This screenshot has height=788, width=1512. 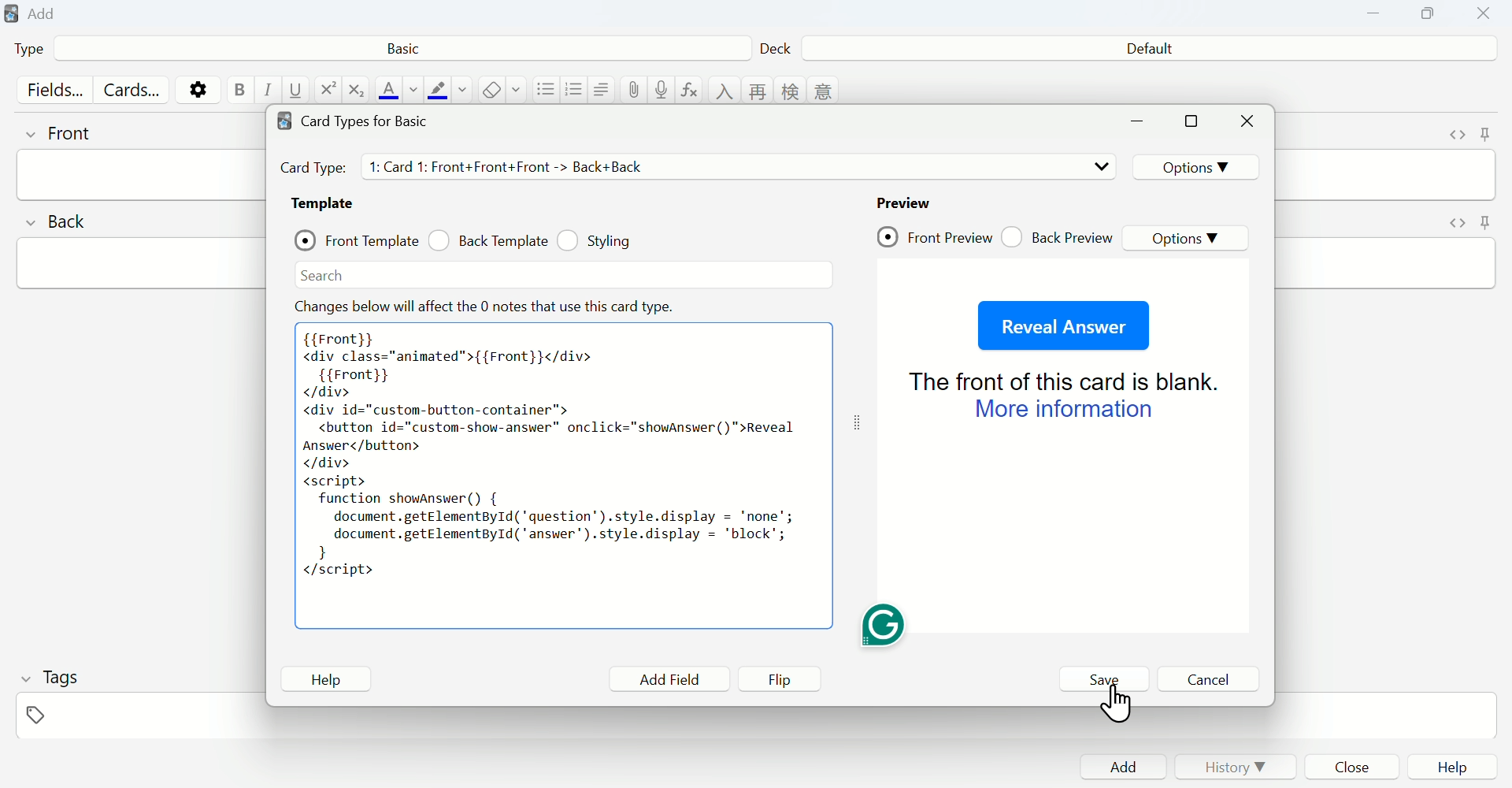 What do you see at coordinates (779, 679) in the screenshot?
I see `Flip` at bounding box center [779, 679].